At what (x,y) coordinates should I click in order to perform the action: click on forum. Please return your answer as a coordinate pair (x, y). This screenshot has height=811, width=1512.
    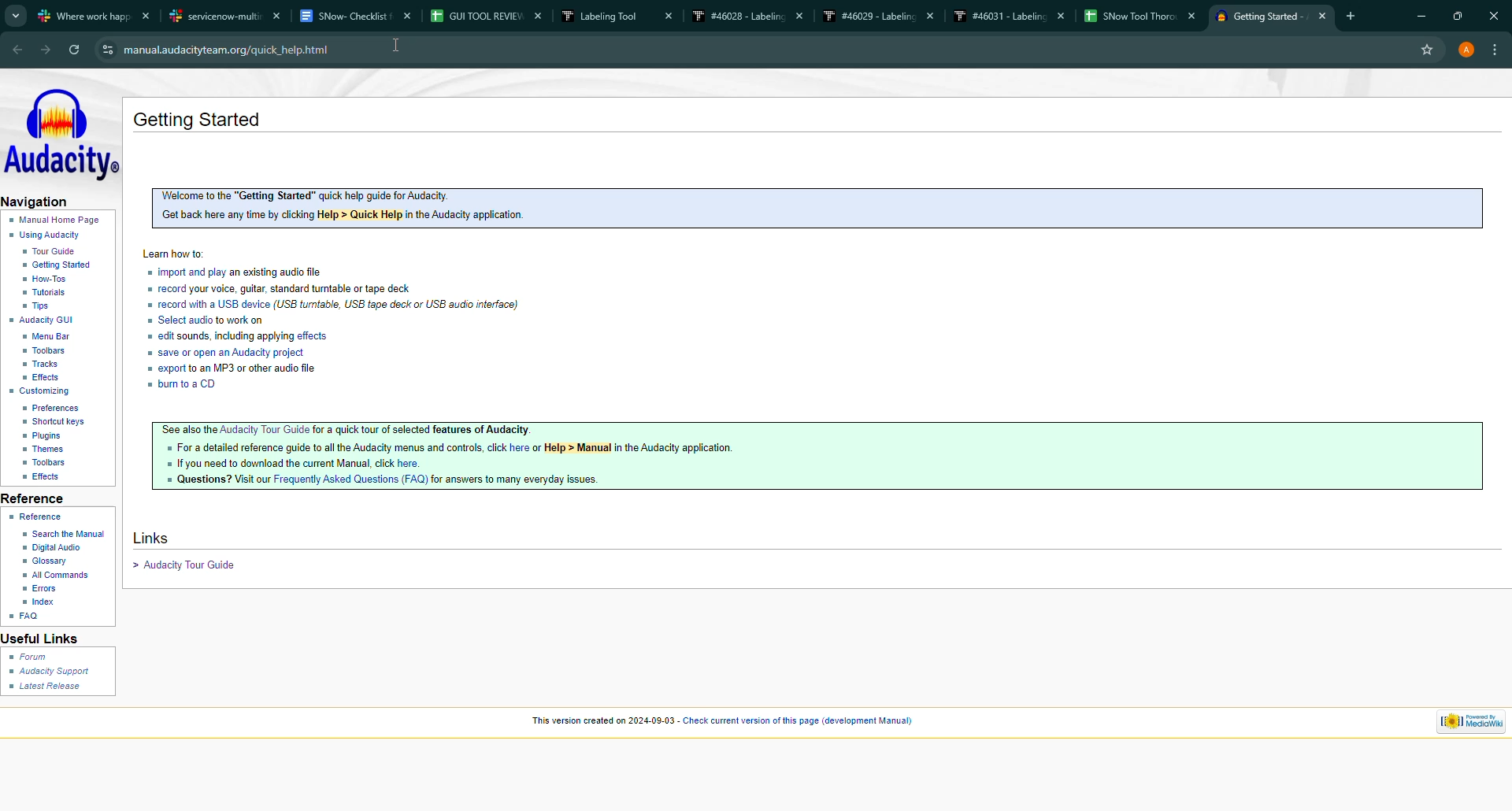
    Looking at the image, I should click on (31, 657).